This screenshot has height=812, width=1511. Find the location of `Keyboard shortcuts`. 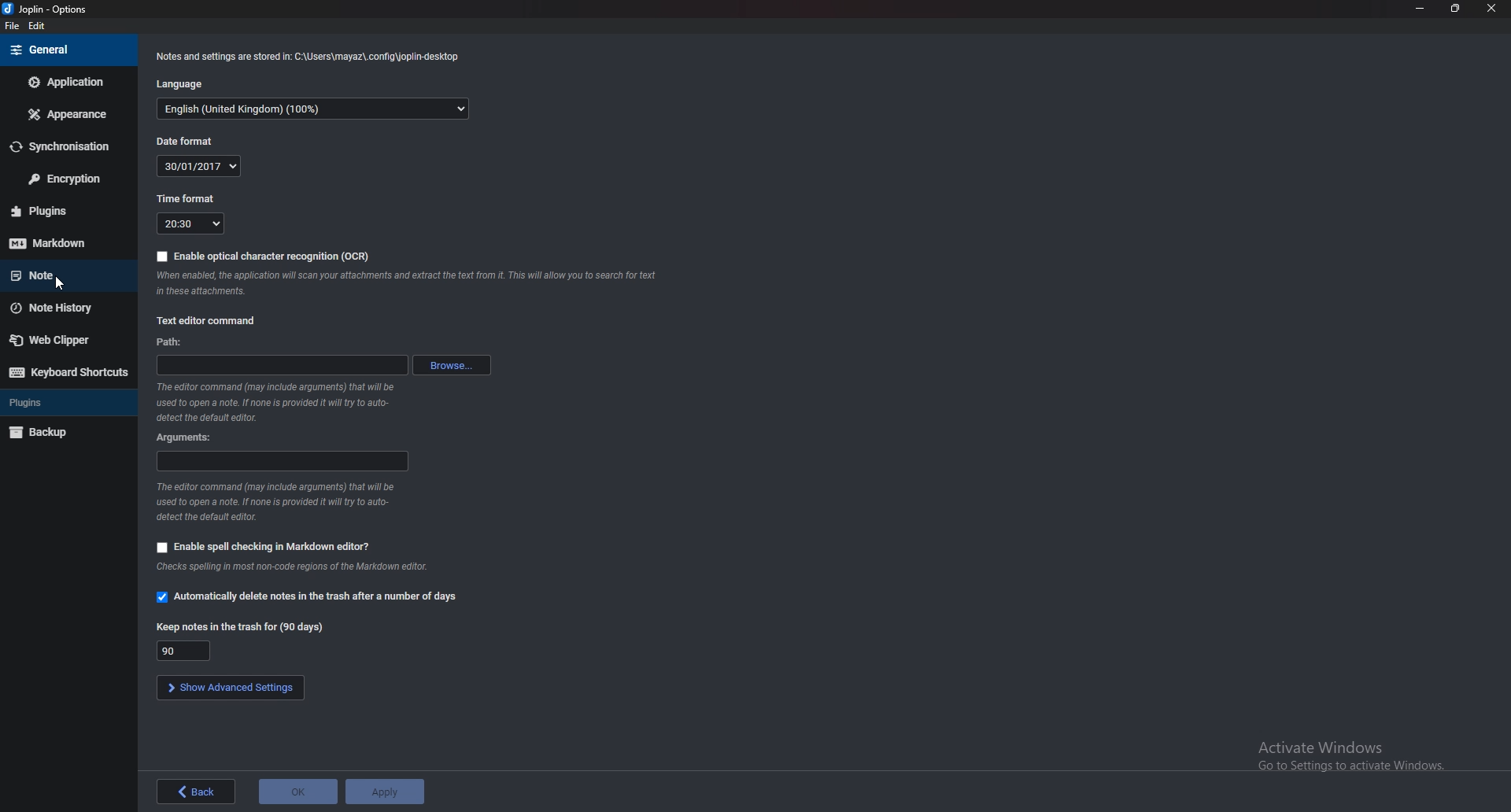

Keyboard shortcuts is located at coordinates (68, 372).